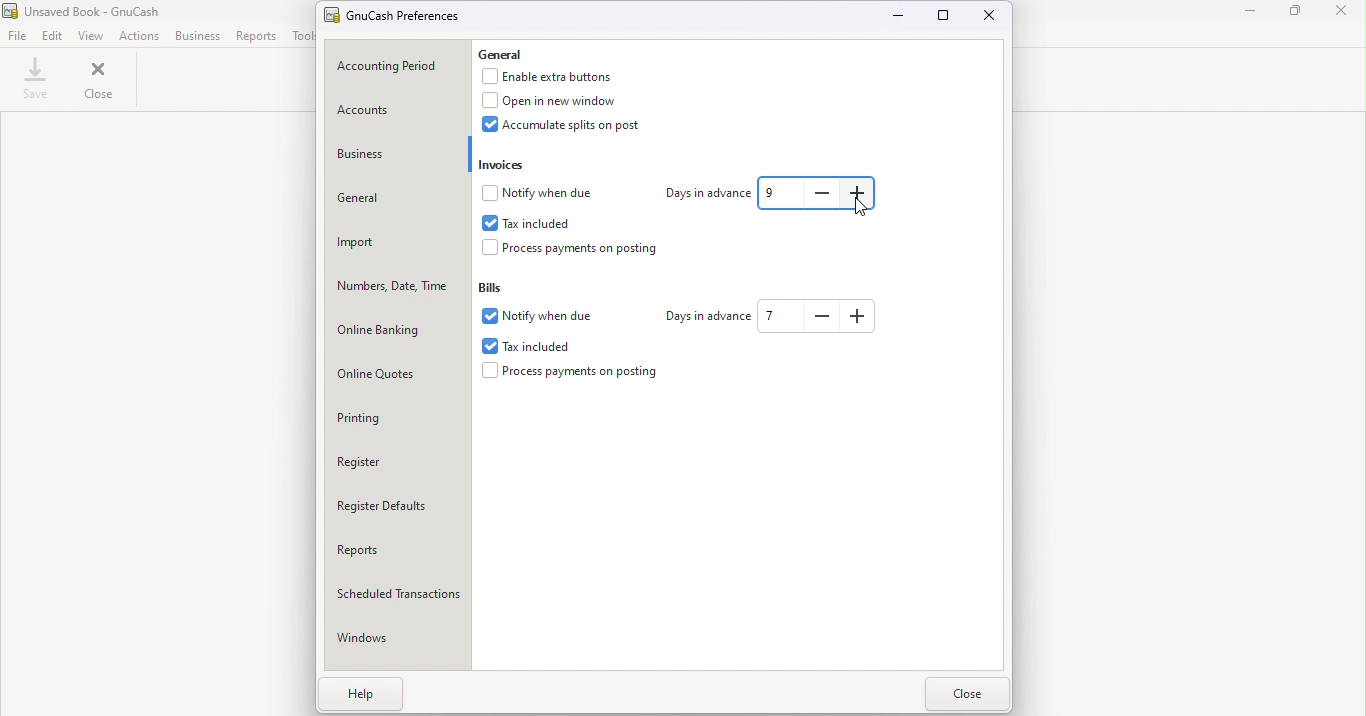 Image resolution: width=1366 pixels, height=716 pixels. I want to click on File, so click(17, 36).